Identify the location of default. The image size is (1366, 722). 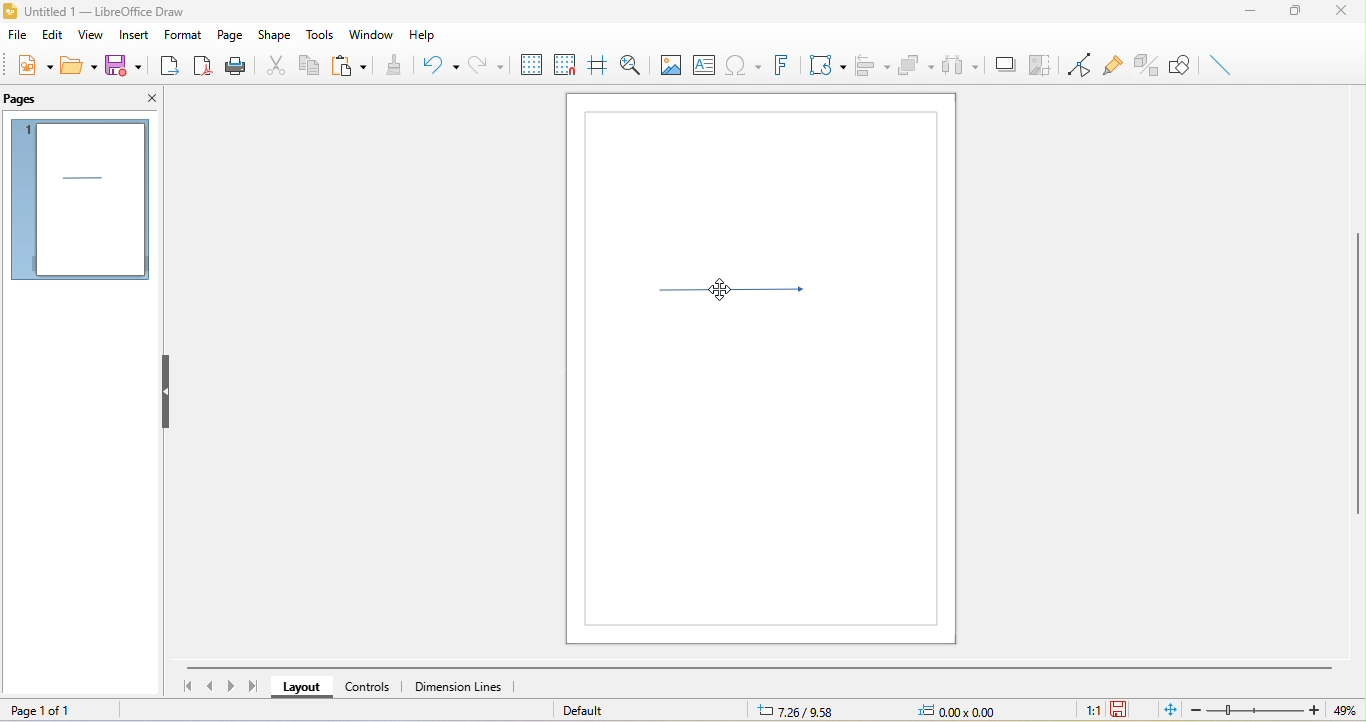
(596, 710).